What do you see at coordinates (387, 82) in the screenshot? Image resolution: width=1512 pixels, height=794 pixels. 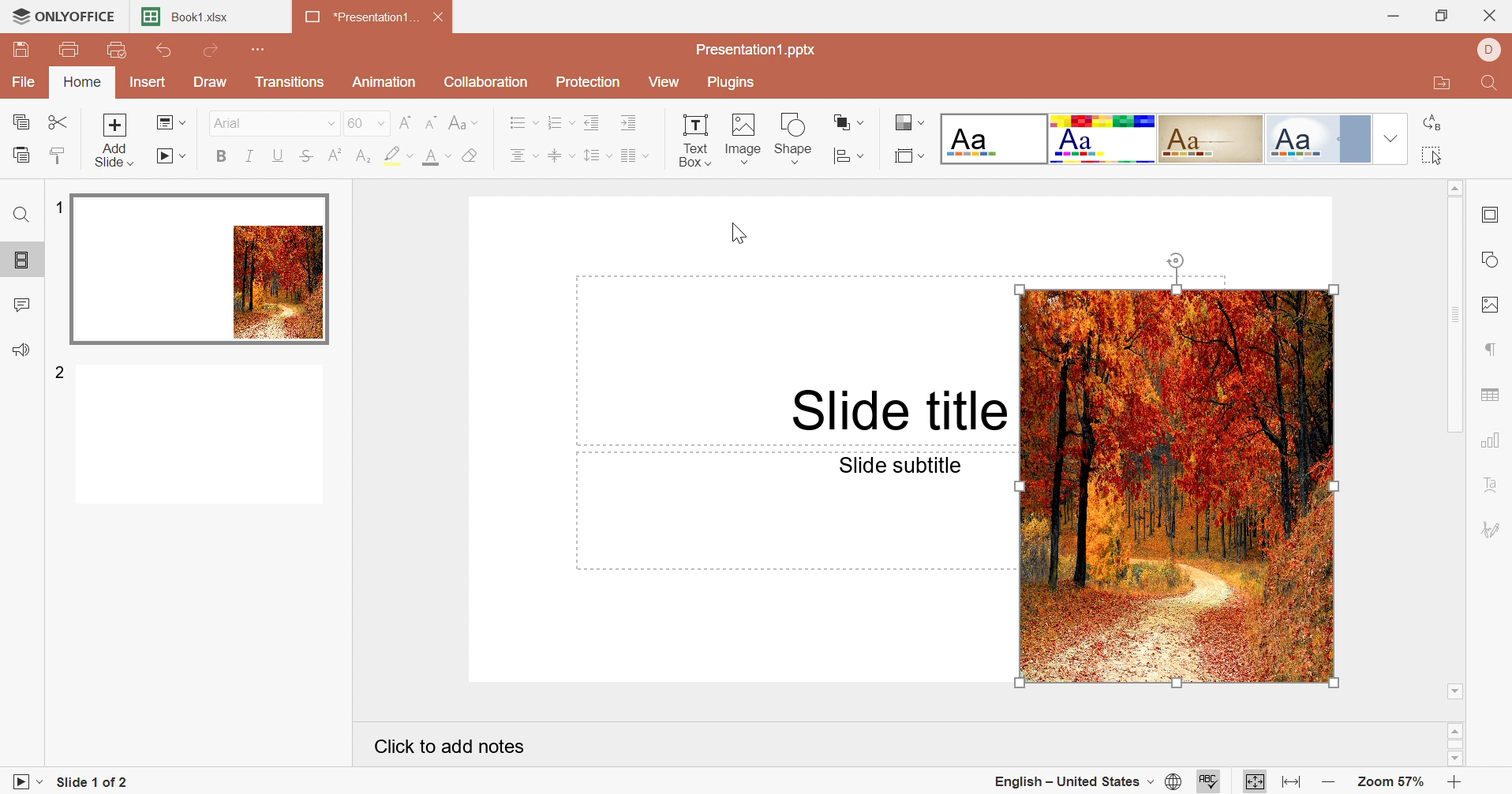 I see `Animation` at bounding box center [387, 82].